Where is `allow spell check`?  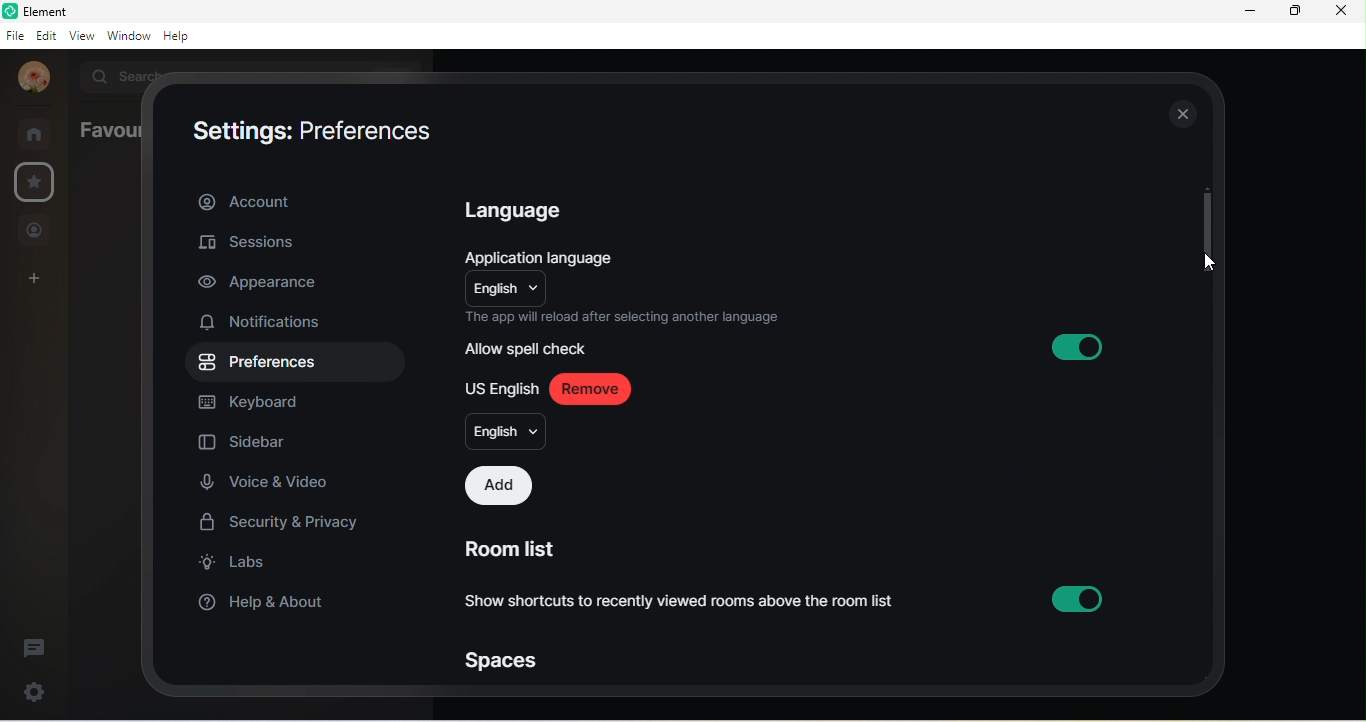
allow spell check is located at coordinates (532, 349).